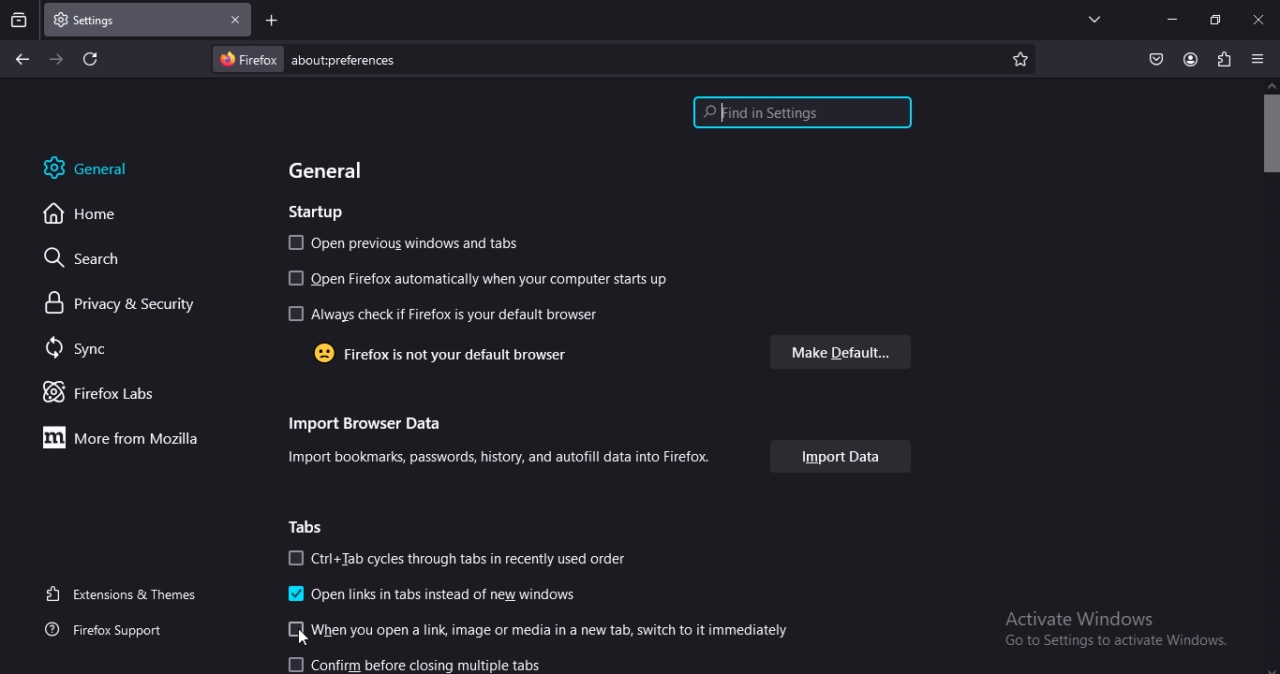 The height and width of the screenshot is (674, 1280). What do you see at coordinates (305, 525) in the screenshot?
I see `tabs` at bounding box center [305, 525].